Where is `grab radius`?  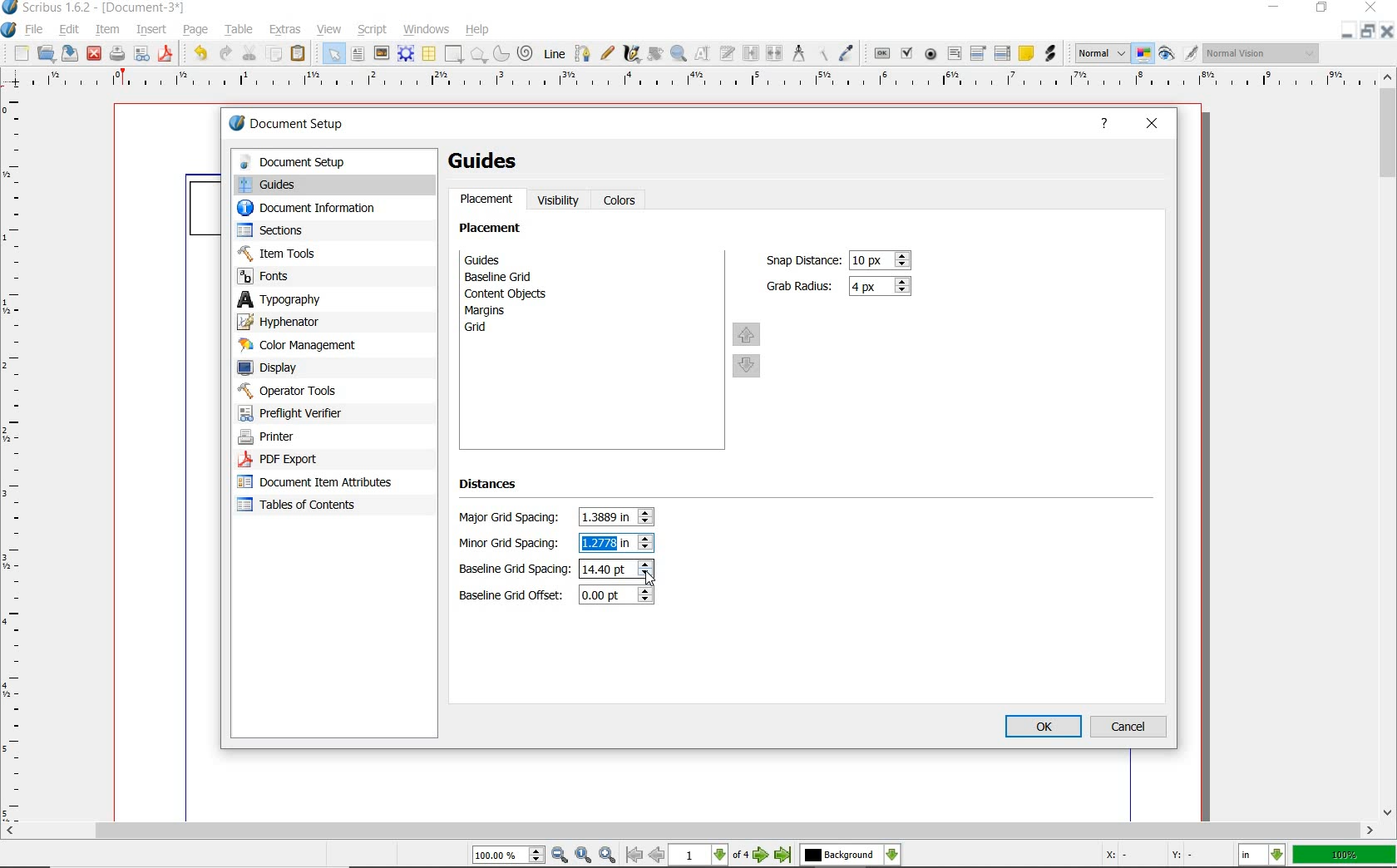 grab radius is located at coordinates (883, 287).